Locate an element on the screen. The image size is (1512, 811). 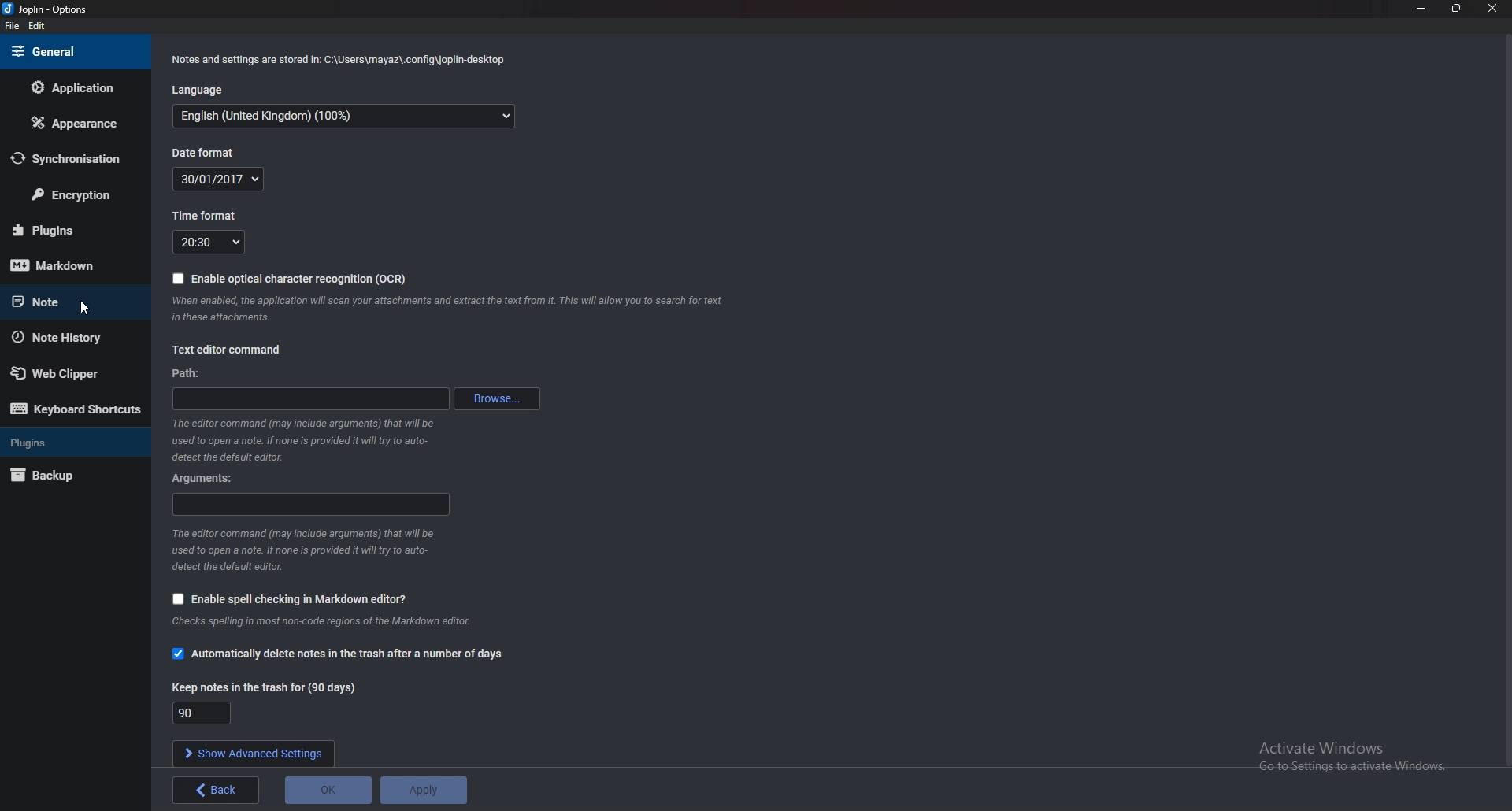
Edit is located at coordinates (37, 26).